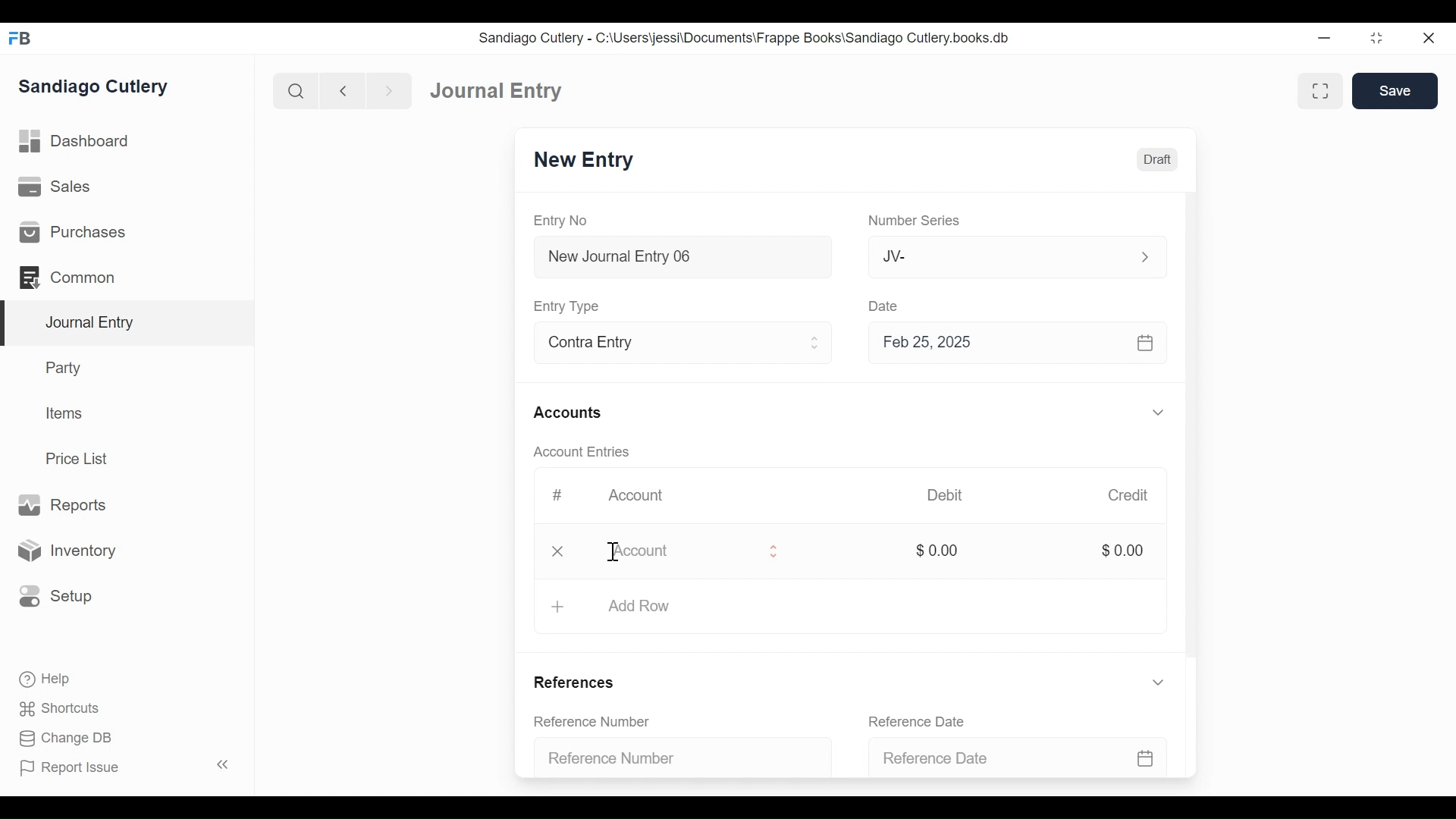  I want to click on minimize, so click(1325, 37).